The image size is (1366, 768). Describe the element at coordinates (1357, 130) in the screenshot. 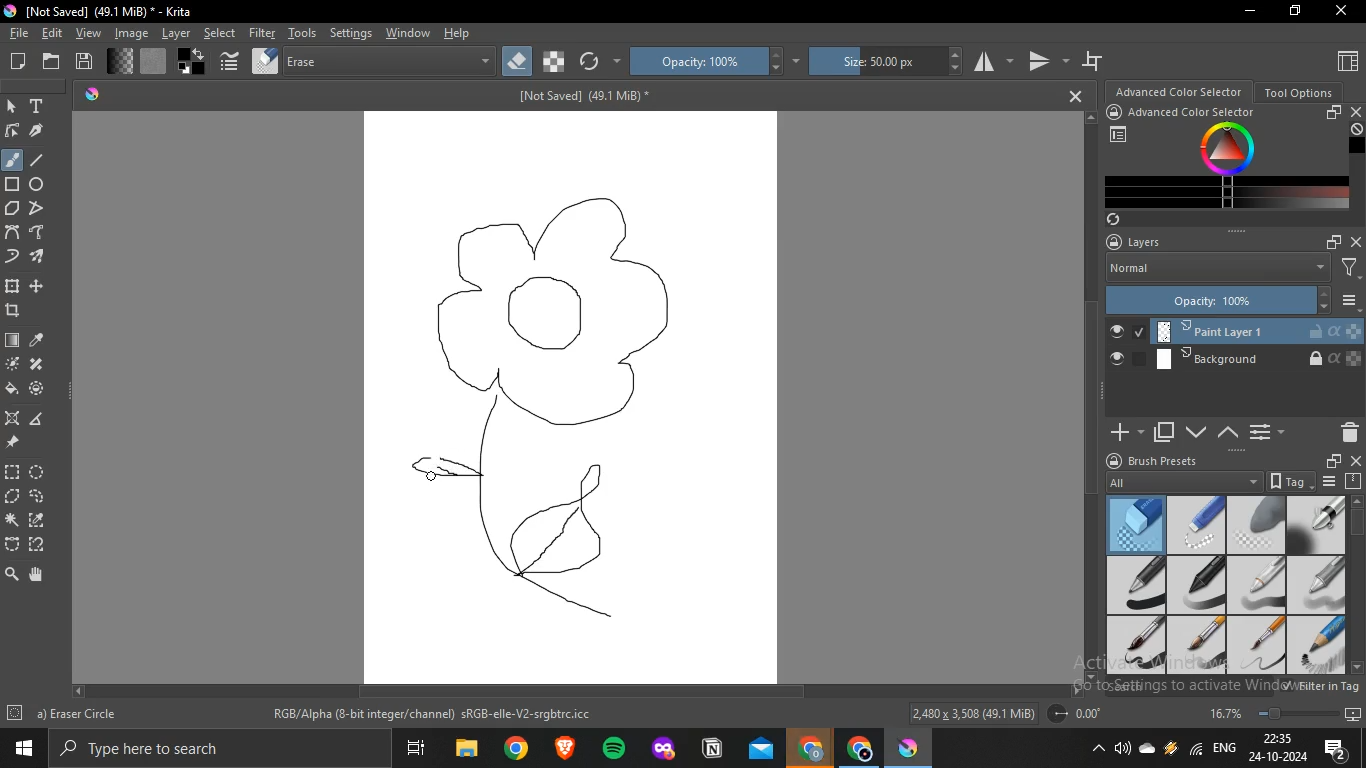

I see `Undefined` at that location.